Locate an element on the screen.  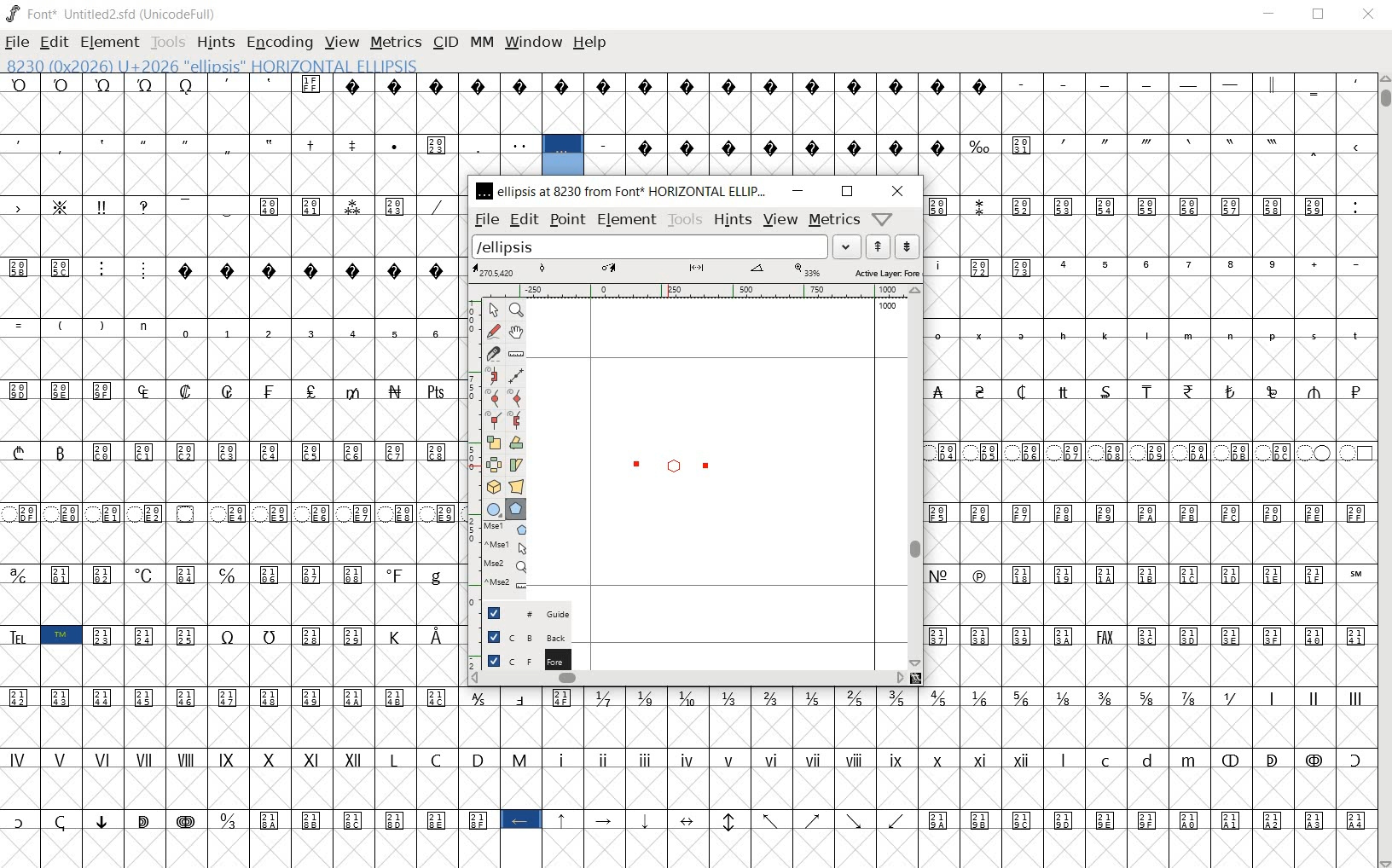
glyph characters is located at coordinates (915, 774).